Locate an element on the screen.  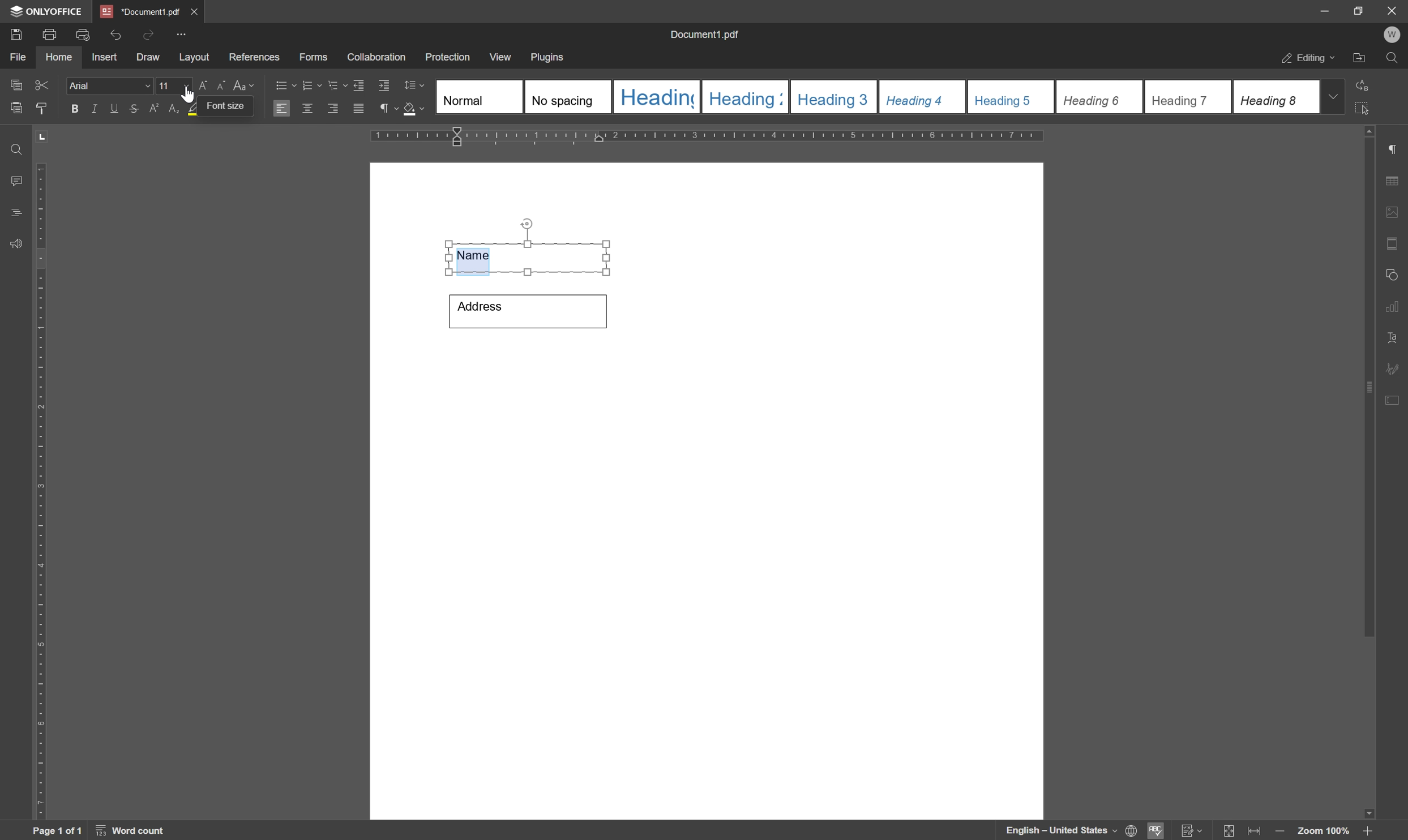
fit to slide is located at coordinates (1228, 831).